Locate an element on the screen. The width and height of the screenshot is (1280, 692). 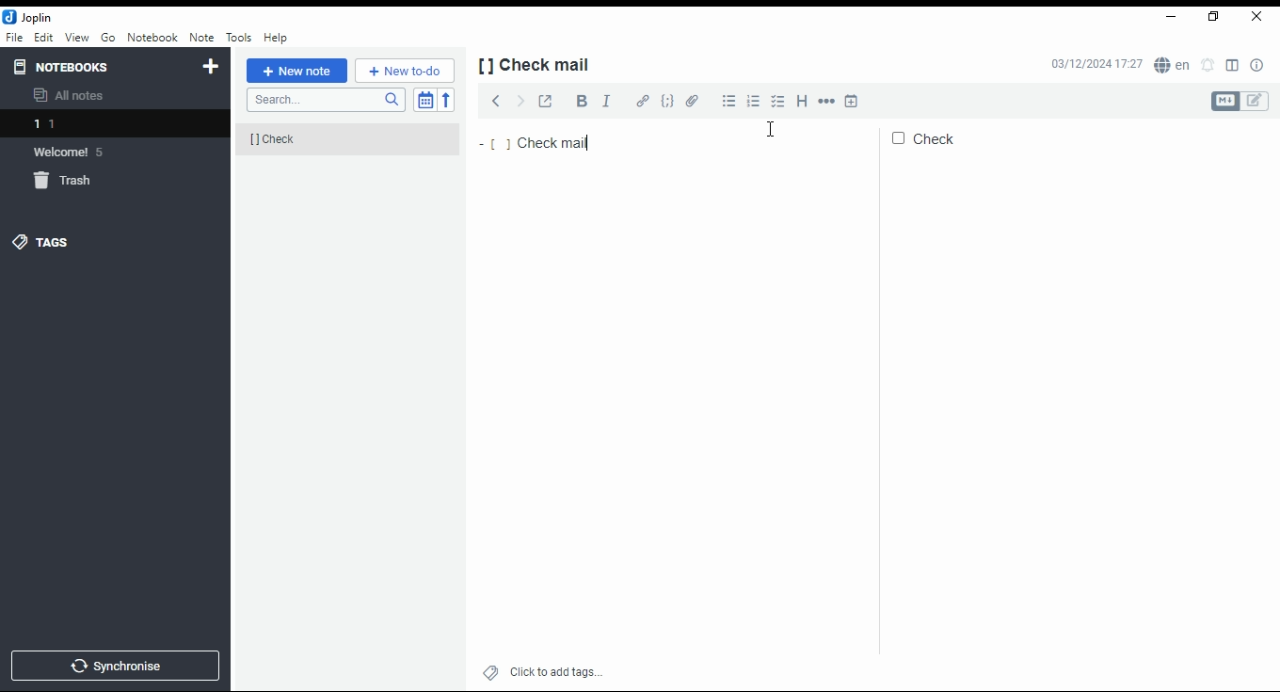
horizontal rule is located at coordinates (827, 101).